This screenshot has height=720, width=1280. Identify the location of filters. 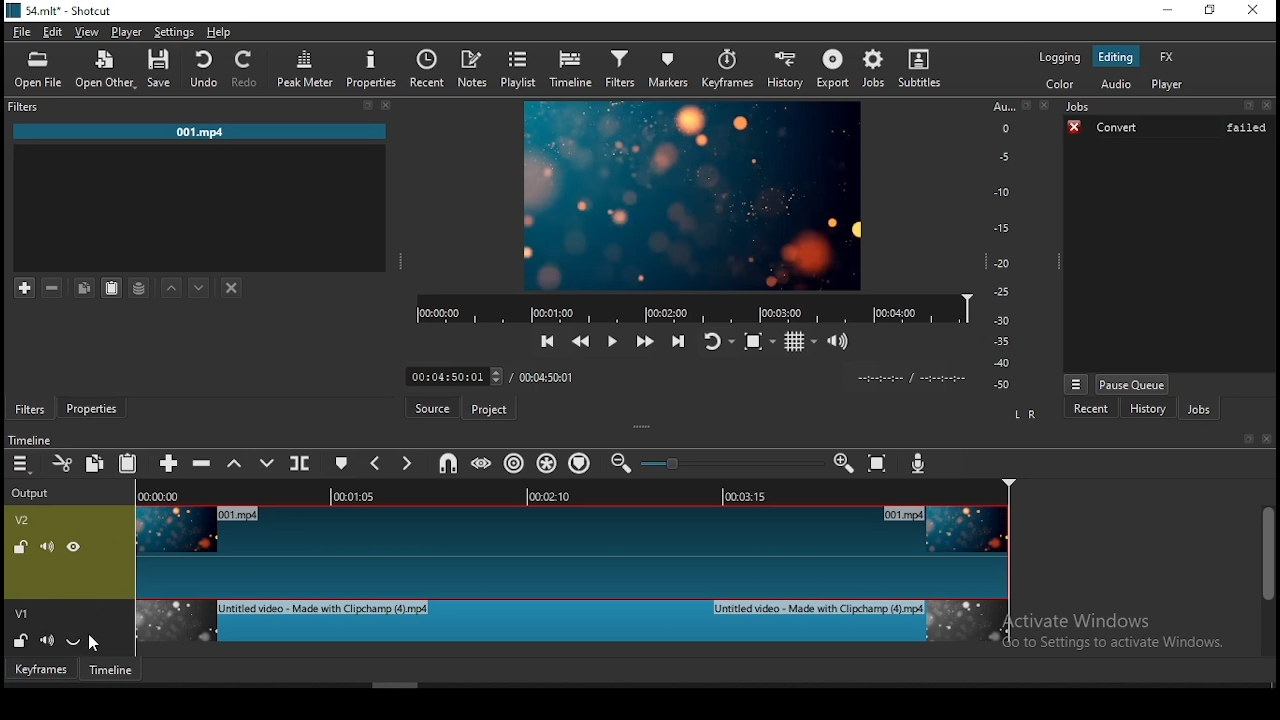
(30, 409).